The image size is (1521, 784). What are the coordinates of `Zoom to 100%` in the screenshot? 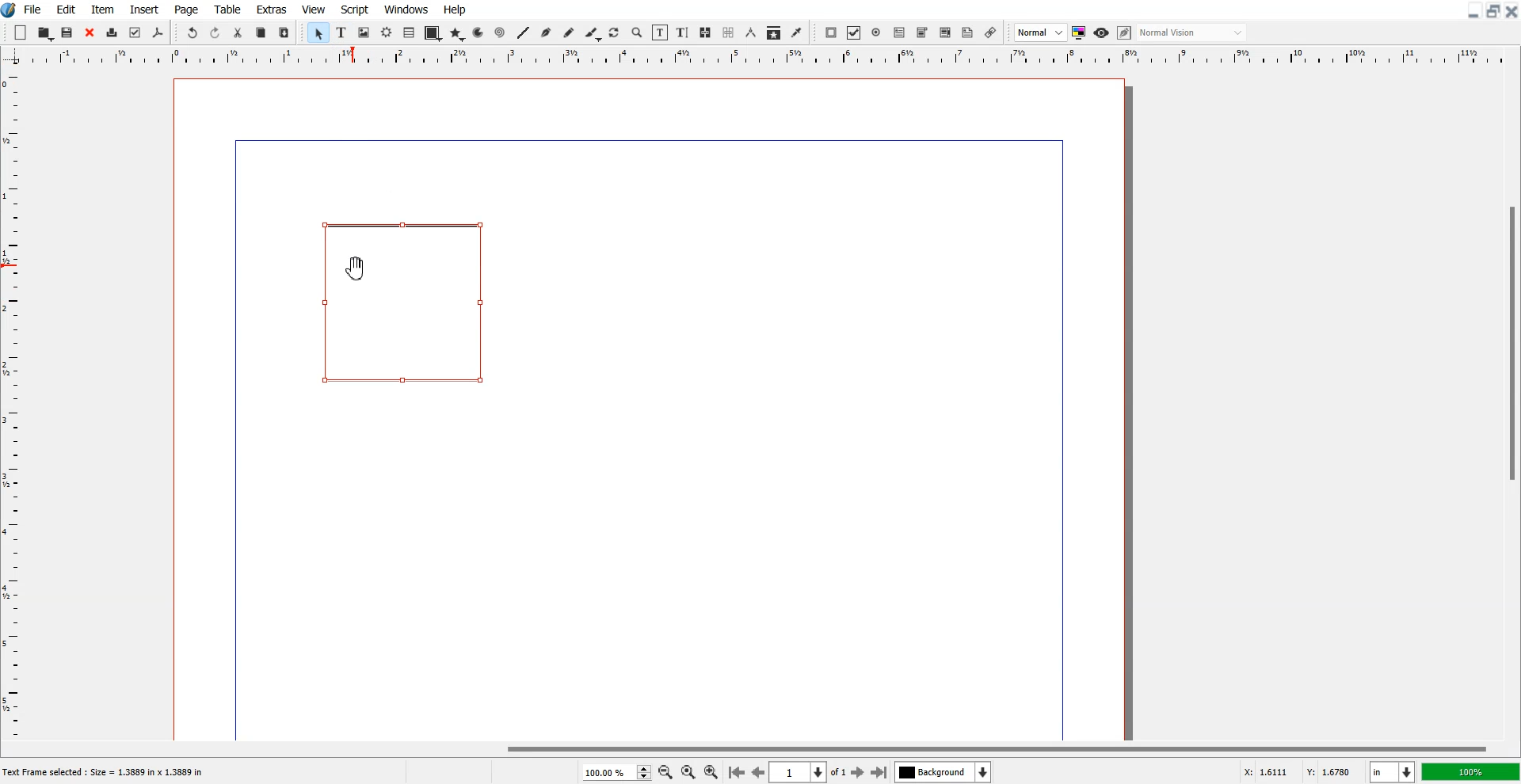 It's located at (688, 773).